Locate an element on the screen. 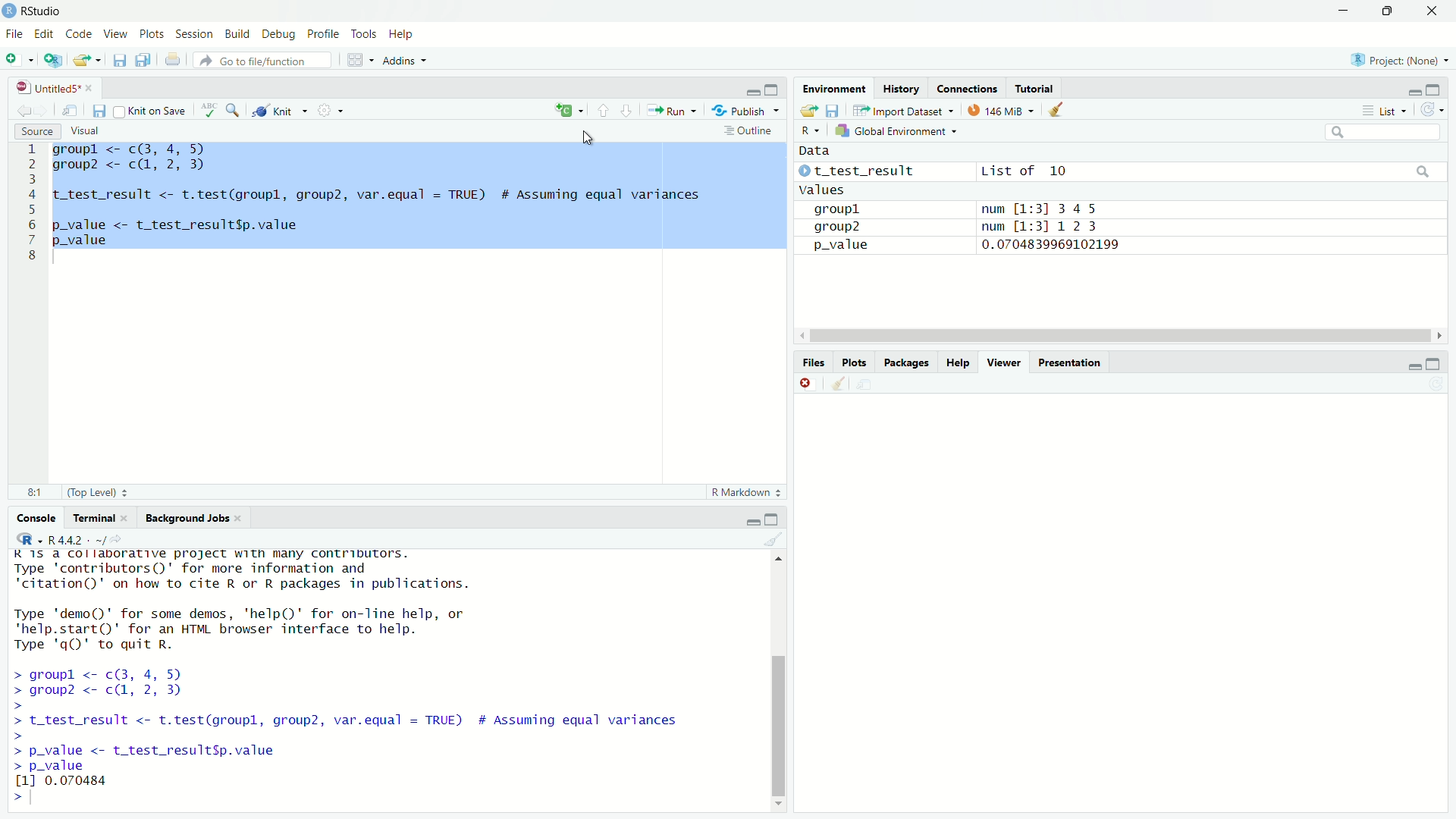 The image size is (1456, 819). Tutorial is located at coordinates (1038, 89).